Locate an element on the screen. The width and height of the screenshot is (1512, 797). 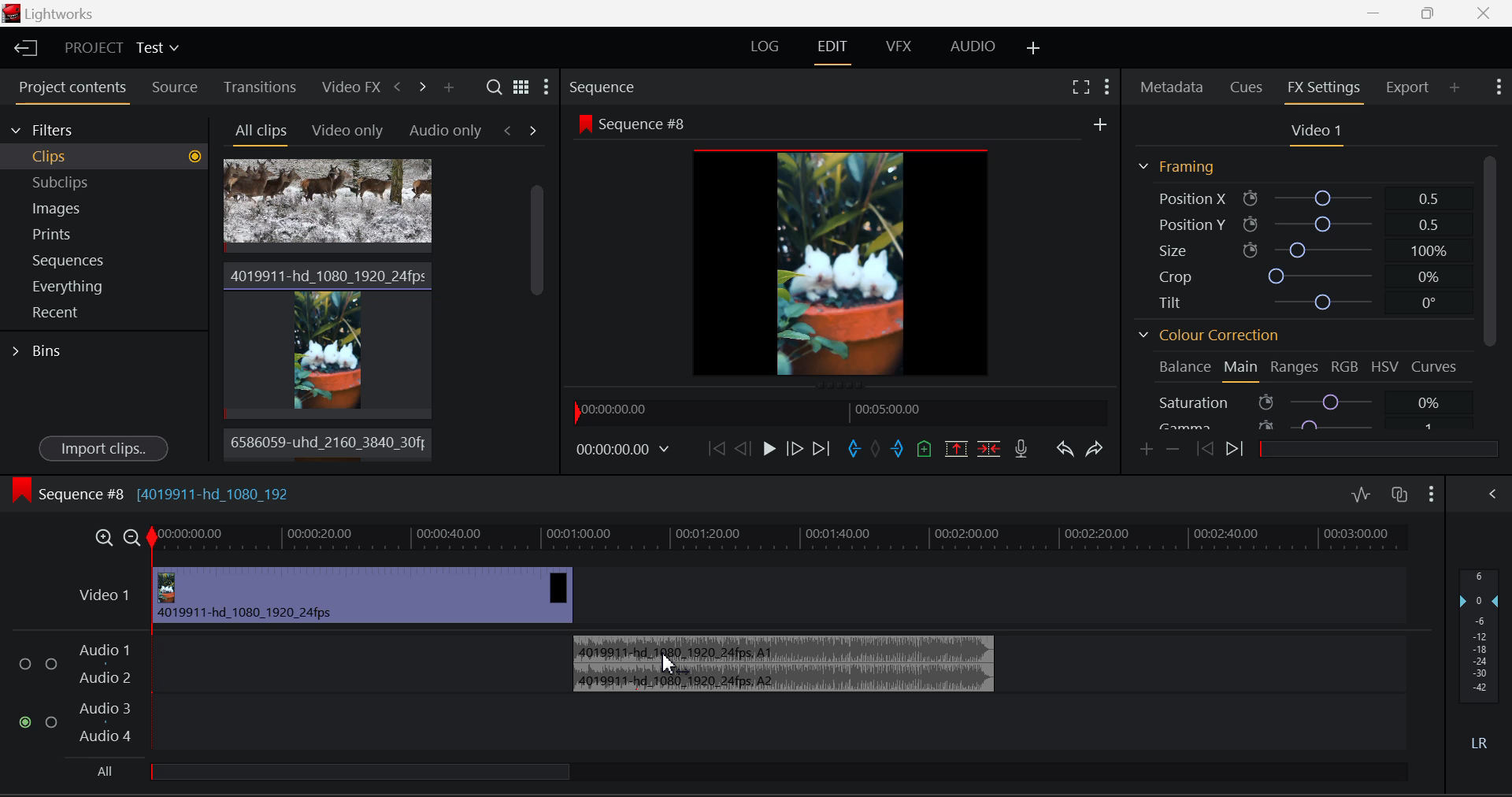
Project Title is located at coordinates (120, 48).